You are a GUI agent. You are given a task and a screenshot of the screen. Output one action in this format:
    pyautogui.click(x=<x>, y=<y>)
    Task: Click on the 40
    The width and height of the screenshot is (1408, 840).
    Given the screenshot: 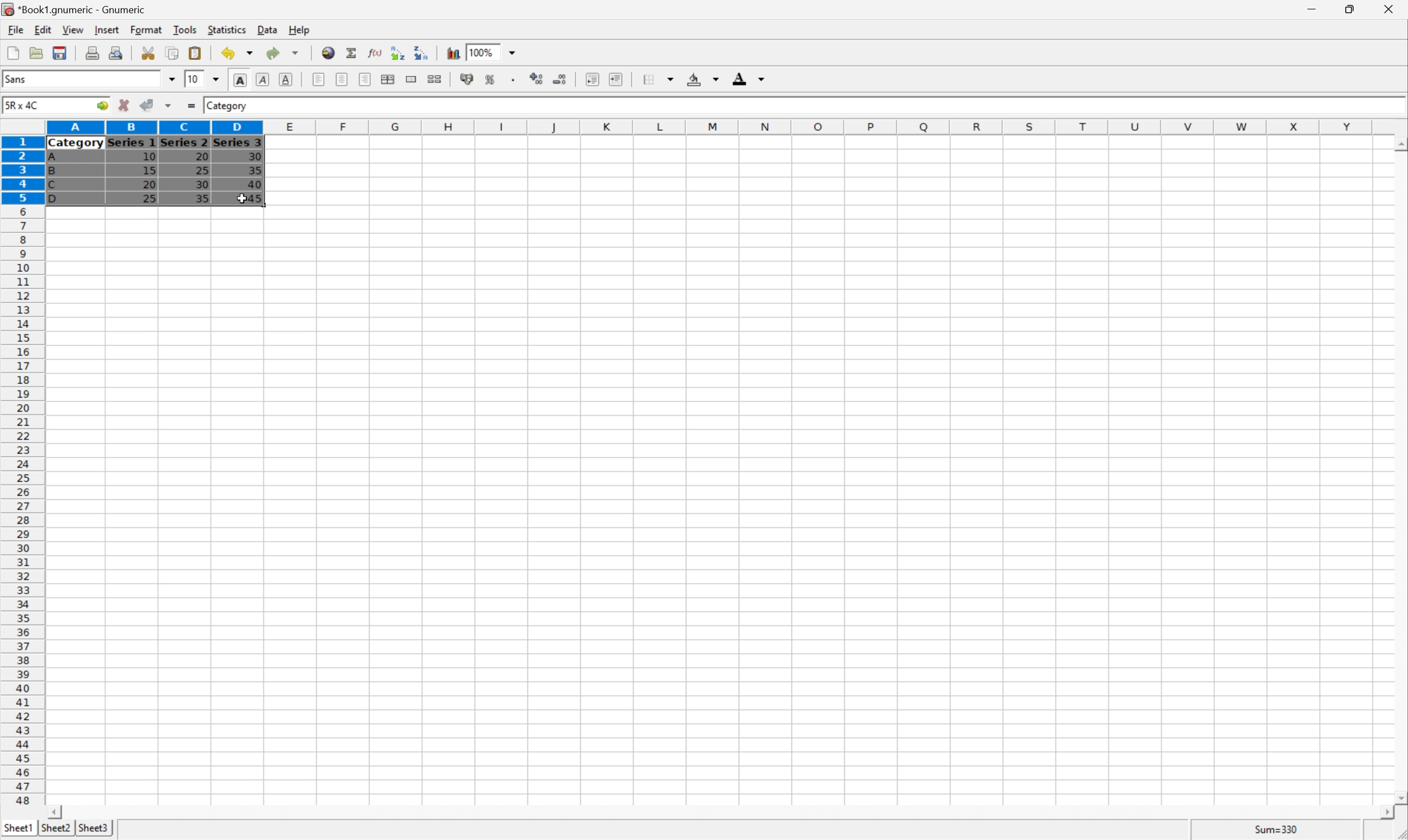 What is the action you would take?
    pyautogui.click(x=255, y=182)
    